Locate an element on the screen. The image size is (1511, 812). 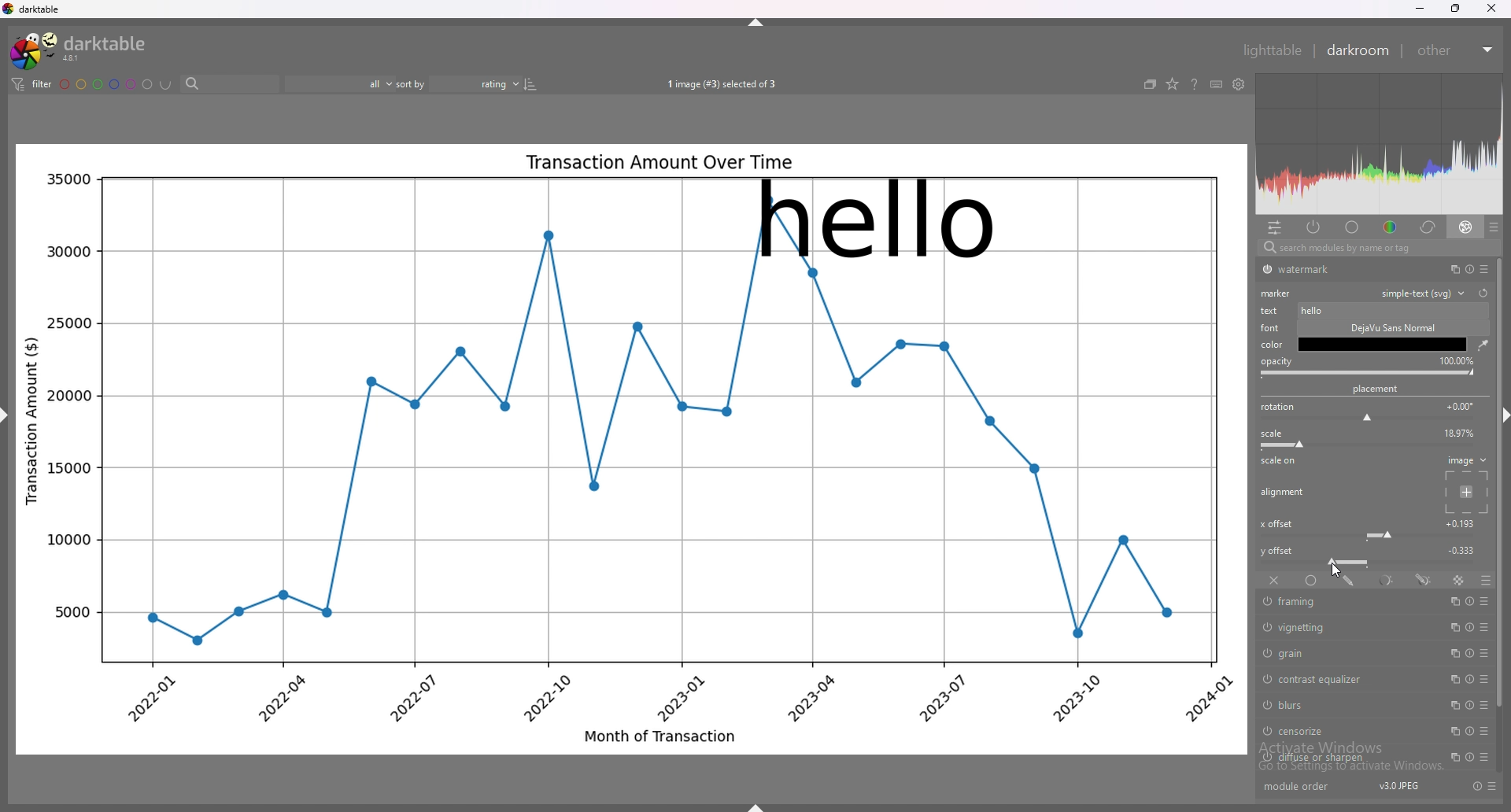
vignetting is located at coordinates (1347, 629).